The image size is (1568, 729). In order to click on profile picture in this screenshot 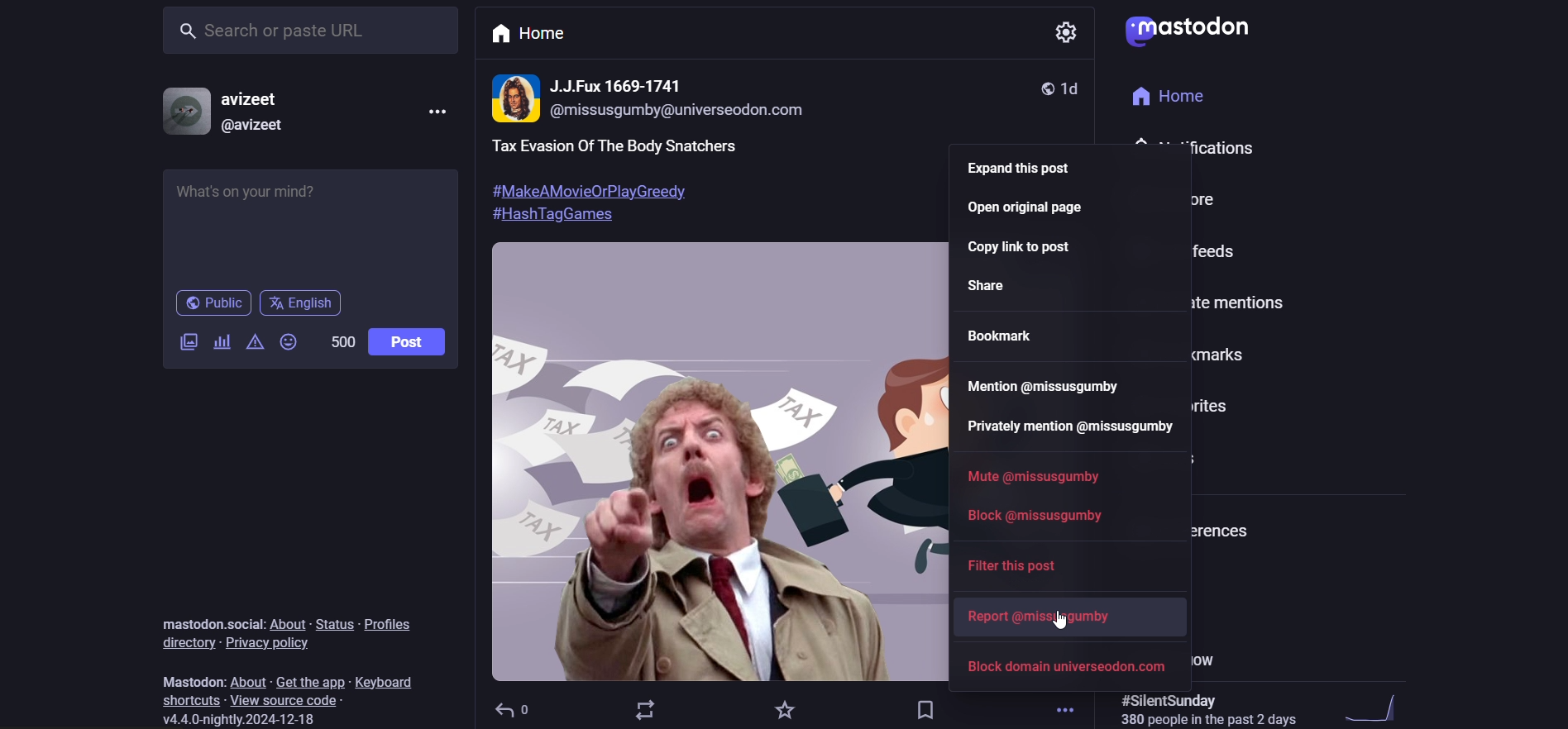, I will do `click(184, 112)`.